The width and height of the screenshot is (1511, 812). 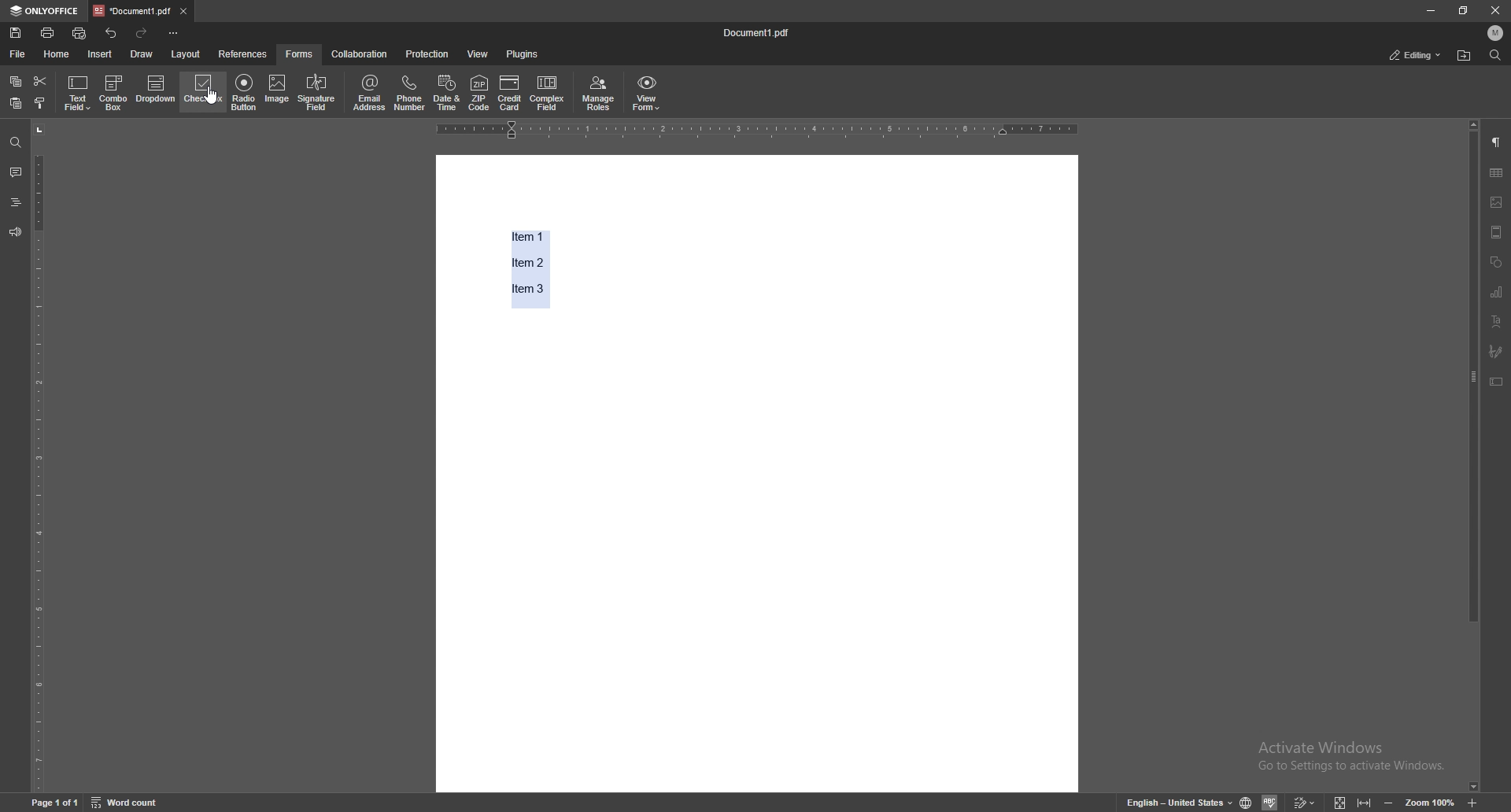 I want to click on change text language, so click(x=1178, y=801).